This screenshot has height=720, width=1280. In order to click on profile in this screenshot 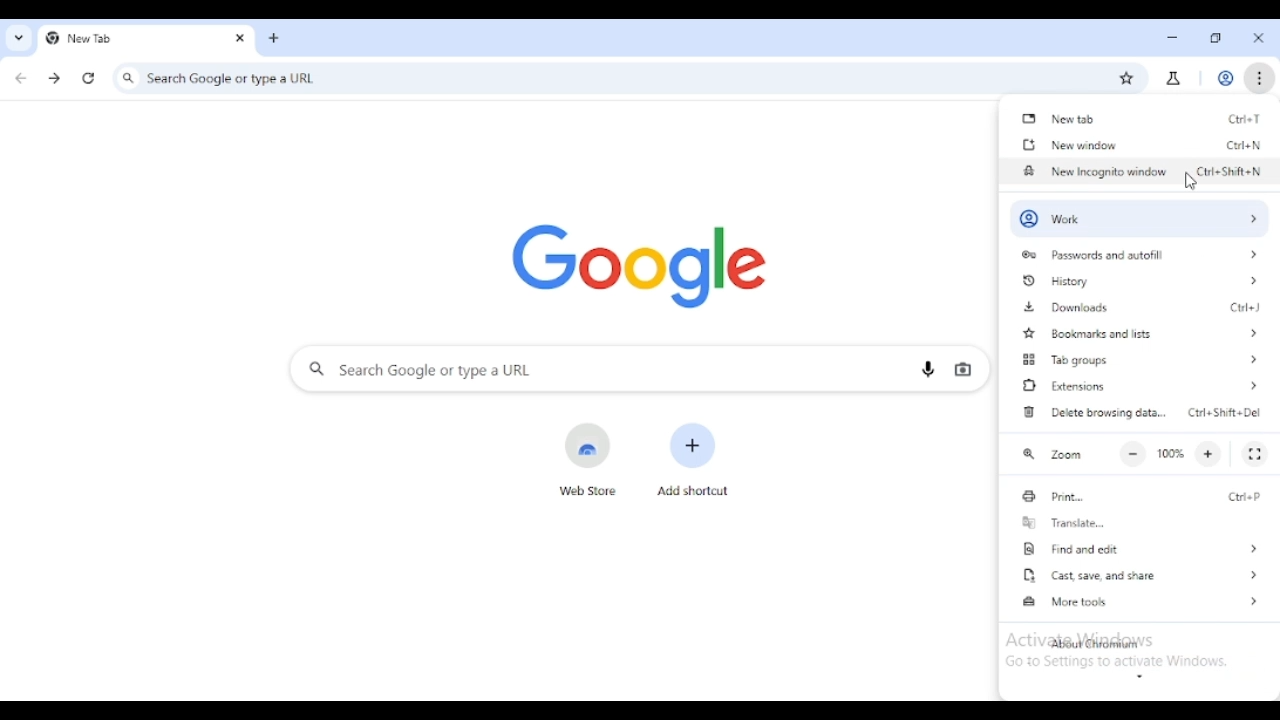, I will do `click(1225, 78)`.